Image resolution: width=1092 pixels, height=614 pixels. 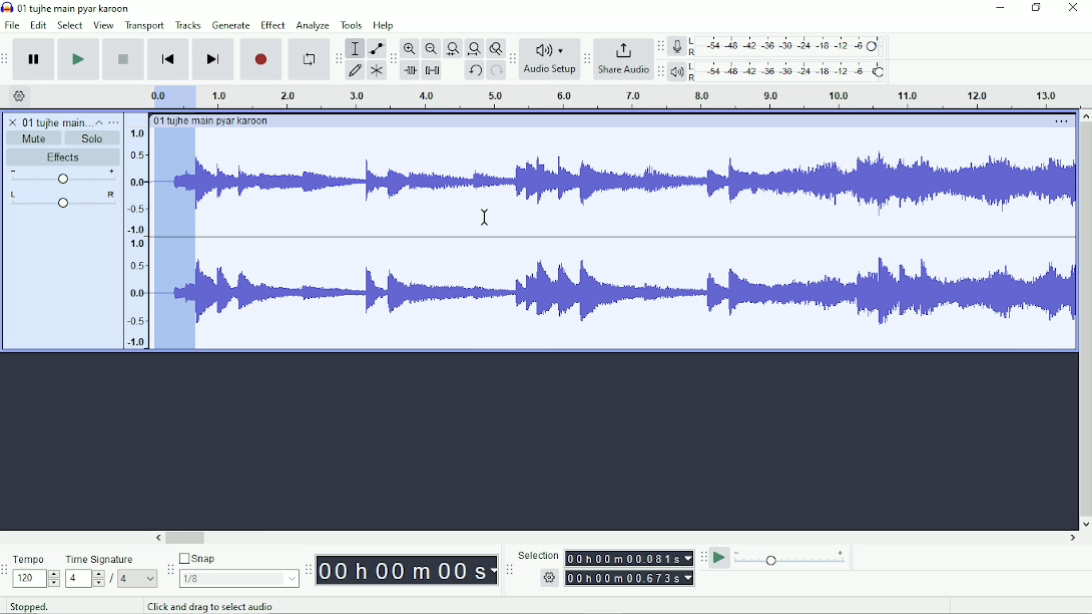 I want to click on Cursor, so click(x=485, y=217).